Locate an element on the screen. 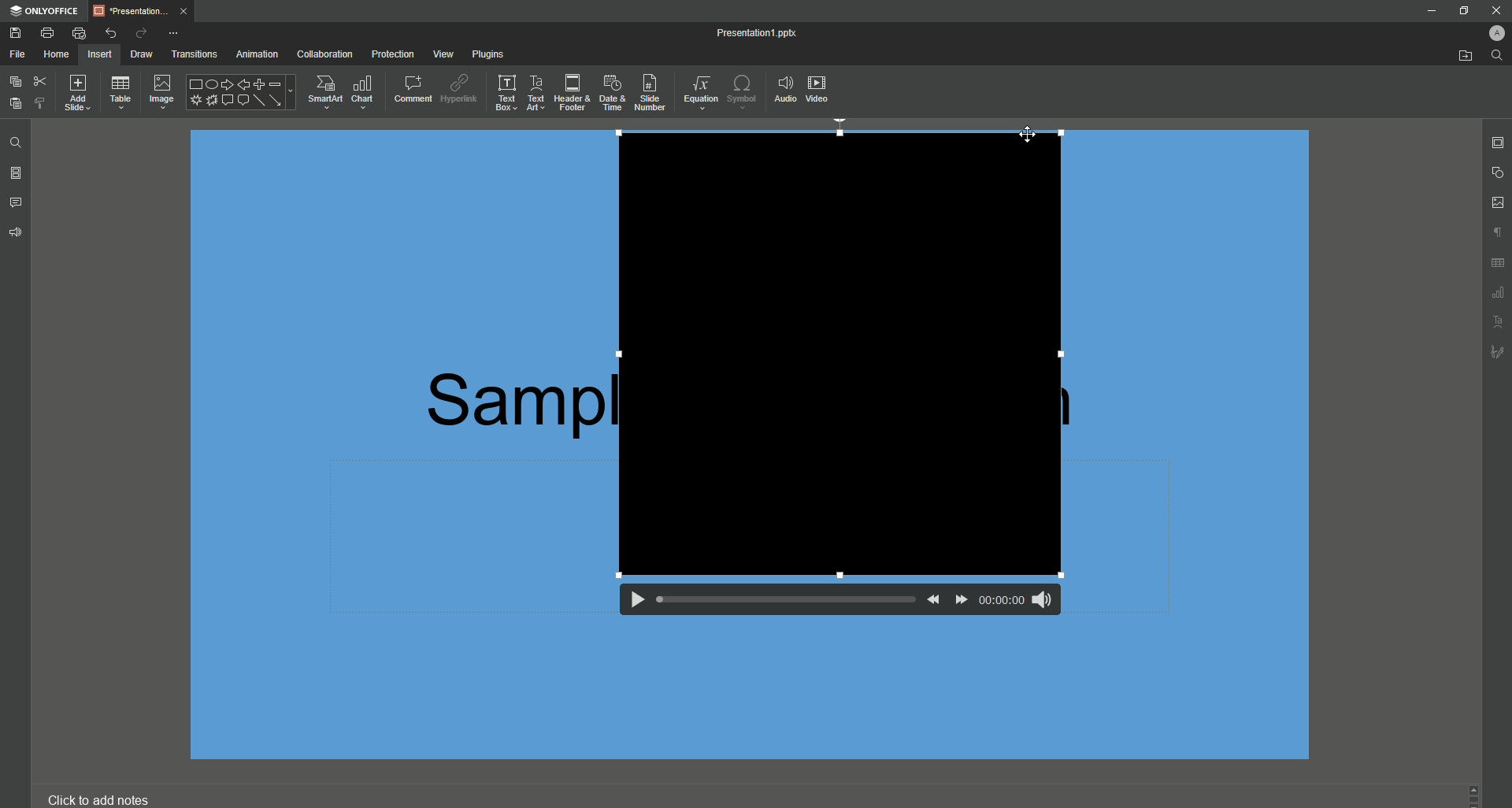 This screenshot has width=1512, height=808. Insert is located at coordinates (98, 54).